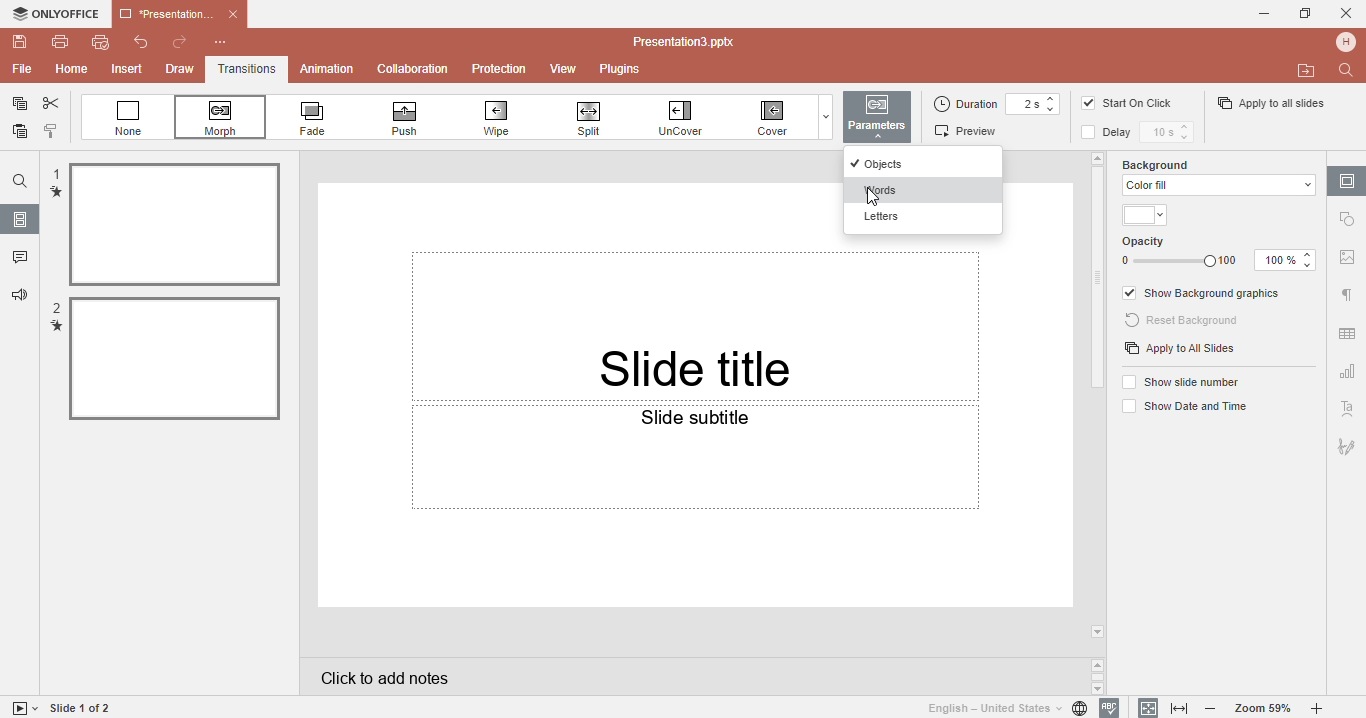 Image resolution: width=1366 pixels, height=718 pixels. Describe the element at coordinates (1181, 709) in the screenshot. I see `Fit to width` at that location.